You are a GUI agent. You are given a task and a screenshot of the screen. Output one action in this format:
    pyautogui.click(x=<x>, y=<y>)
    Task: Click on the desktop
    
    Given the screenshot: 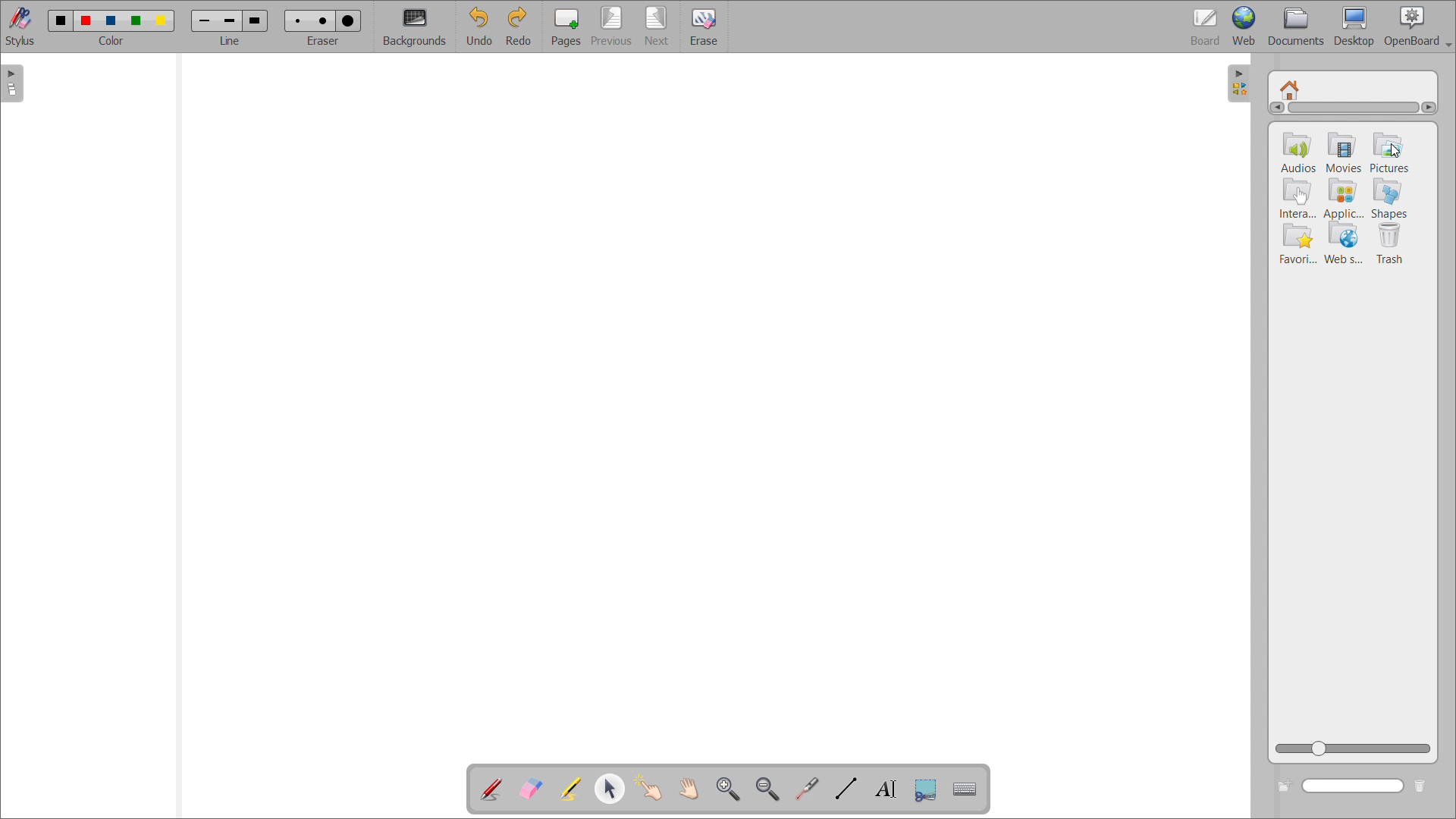 What is the action you would take?
    pyautogui.click(x=1354, y=27)
    